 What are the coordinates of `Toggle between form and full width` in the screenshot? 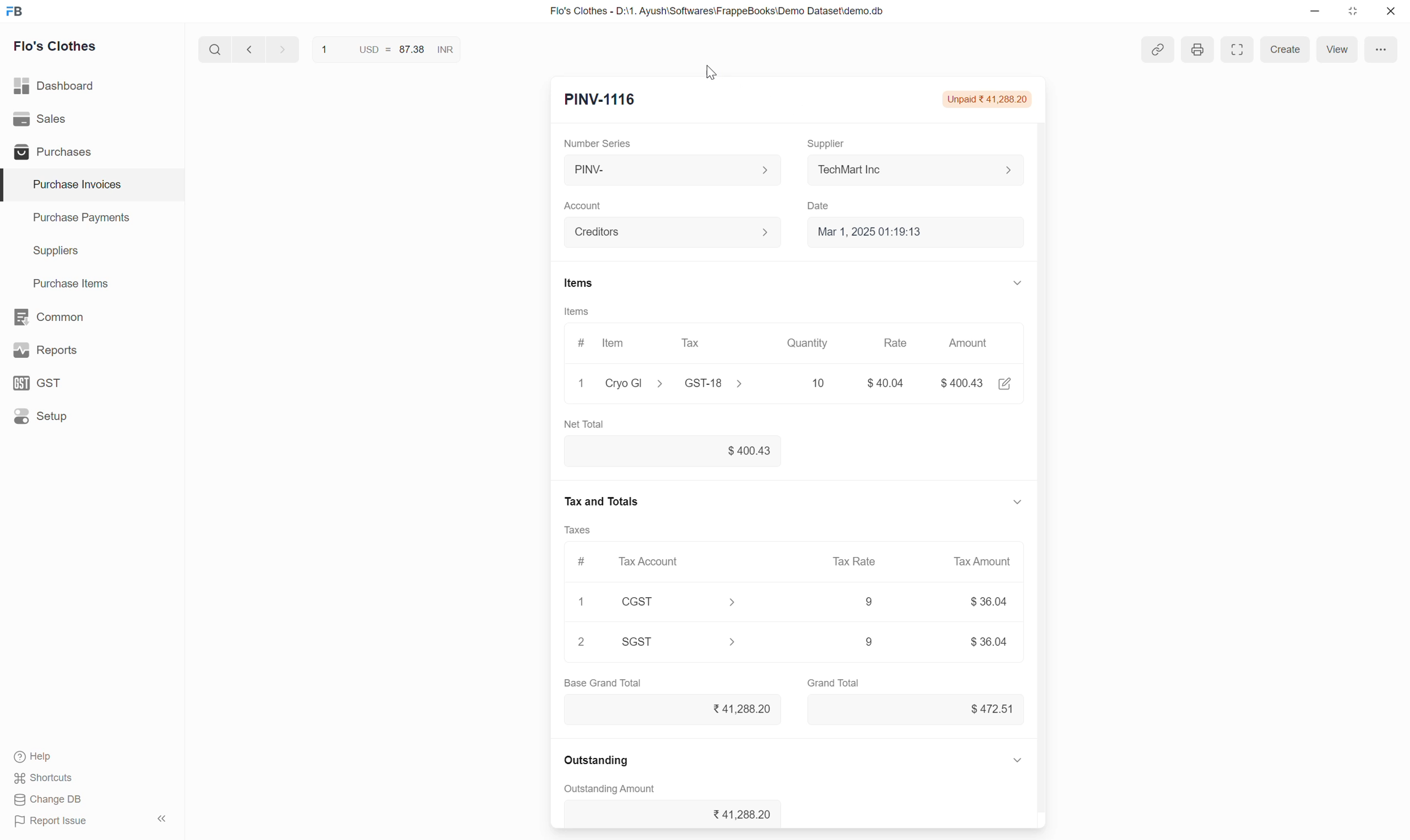 It's located at (1238, 50).